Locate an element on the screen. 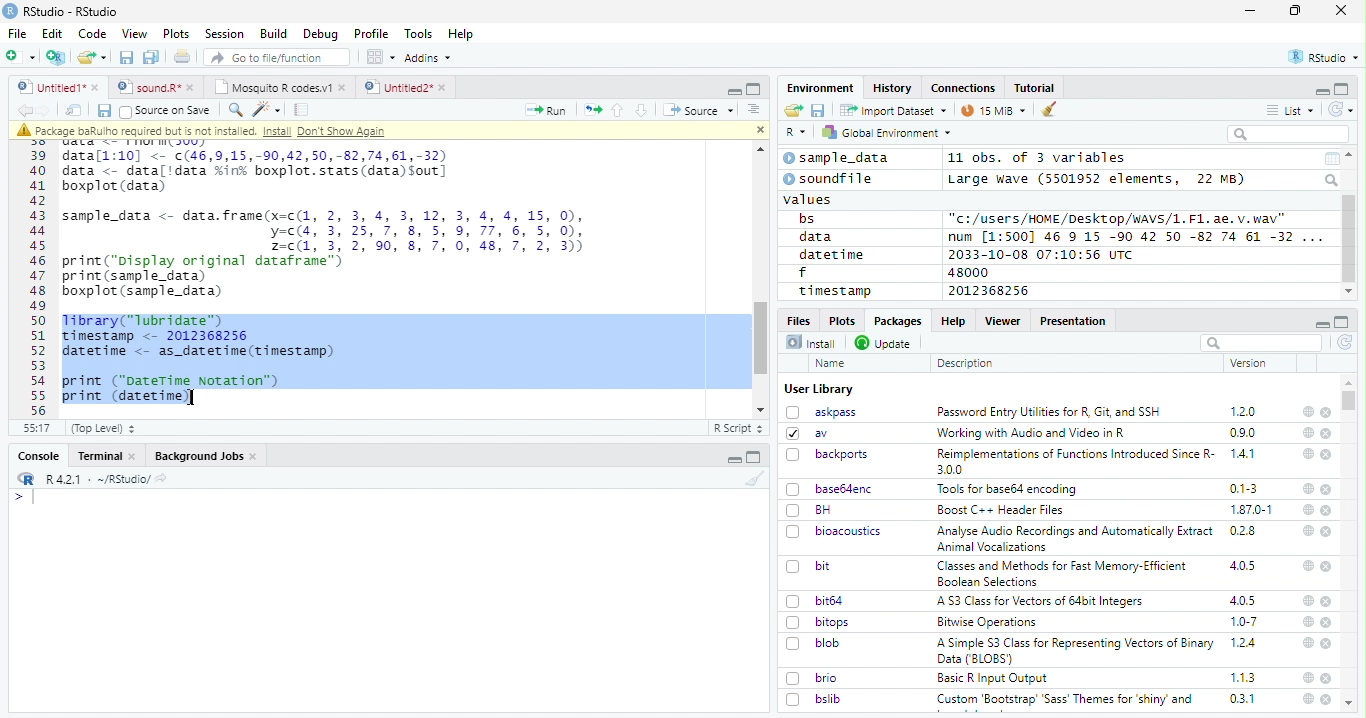  backports is located at coordinates (830, 455).